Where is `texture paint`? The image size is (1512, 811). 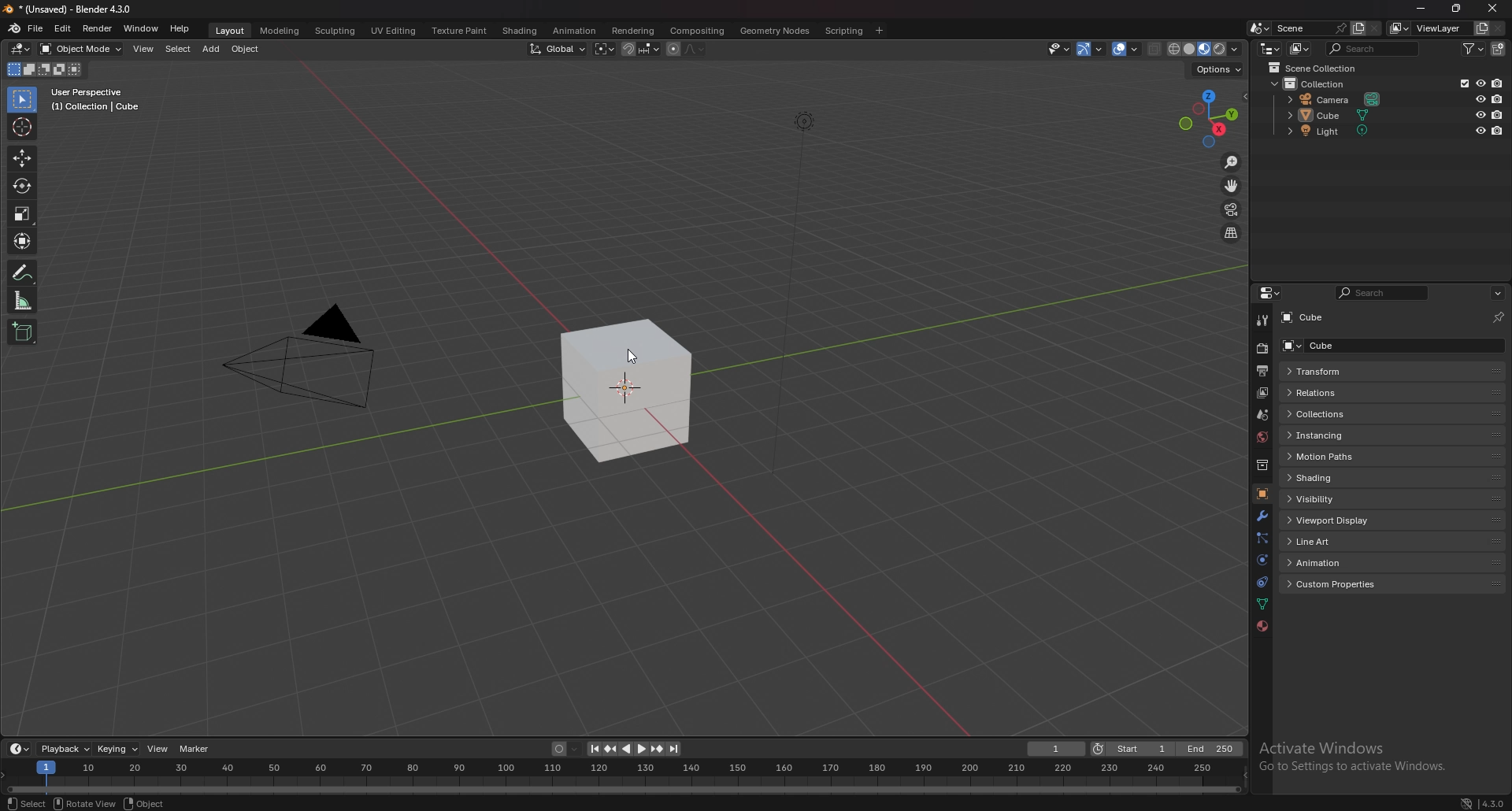 texture paint is located at coordinates (459, 30).